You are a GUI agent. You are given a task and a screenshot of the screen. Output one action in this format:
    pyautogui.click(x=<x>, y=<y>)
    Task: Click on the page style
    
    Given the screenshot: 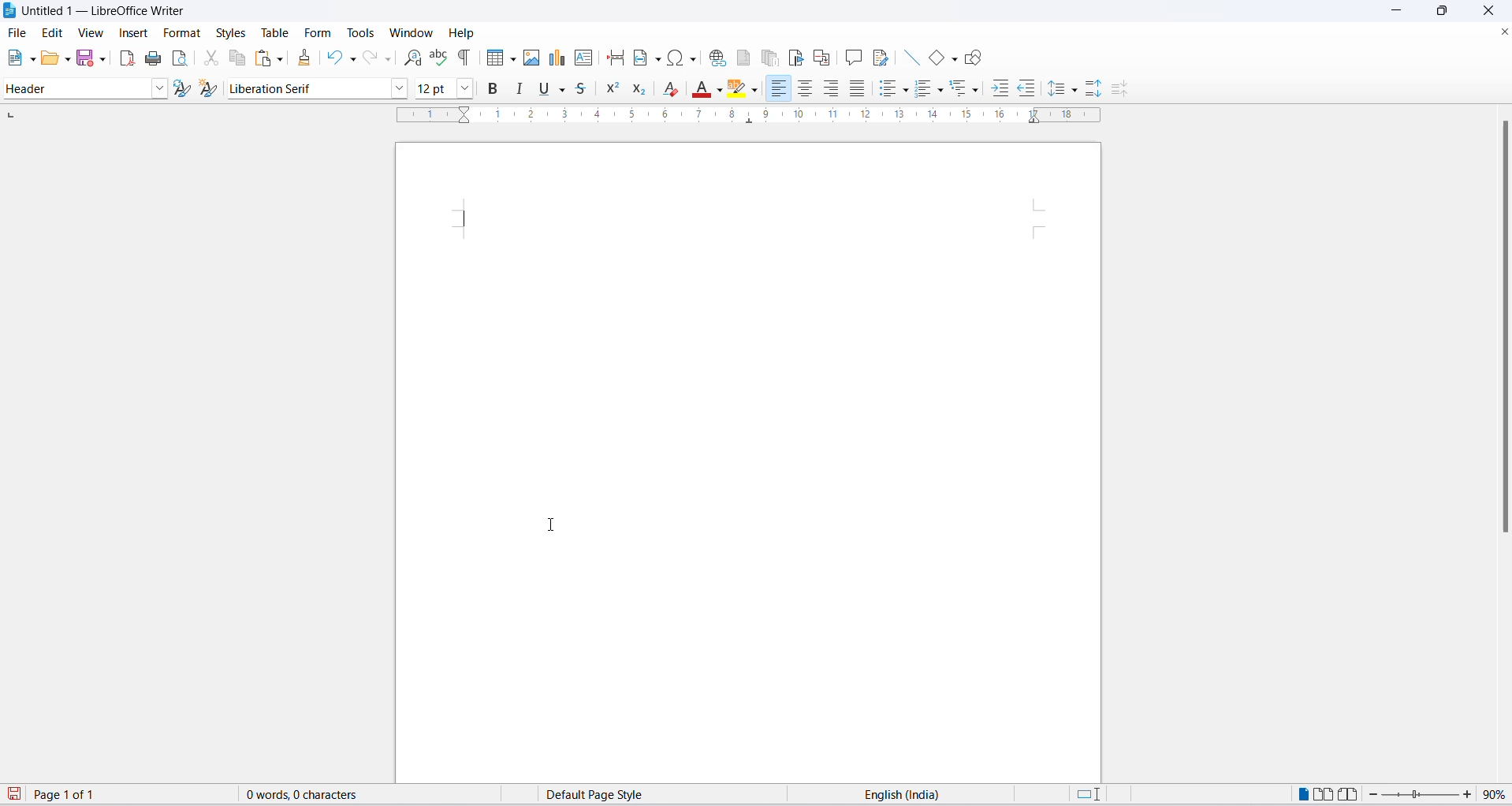 What is the action you would take?
    pyautogui.click(x=605, y=794)
    